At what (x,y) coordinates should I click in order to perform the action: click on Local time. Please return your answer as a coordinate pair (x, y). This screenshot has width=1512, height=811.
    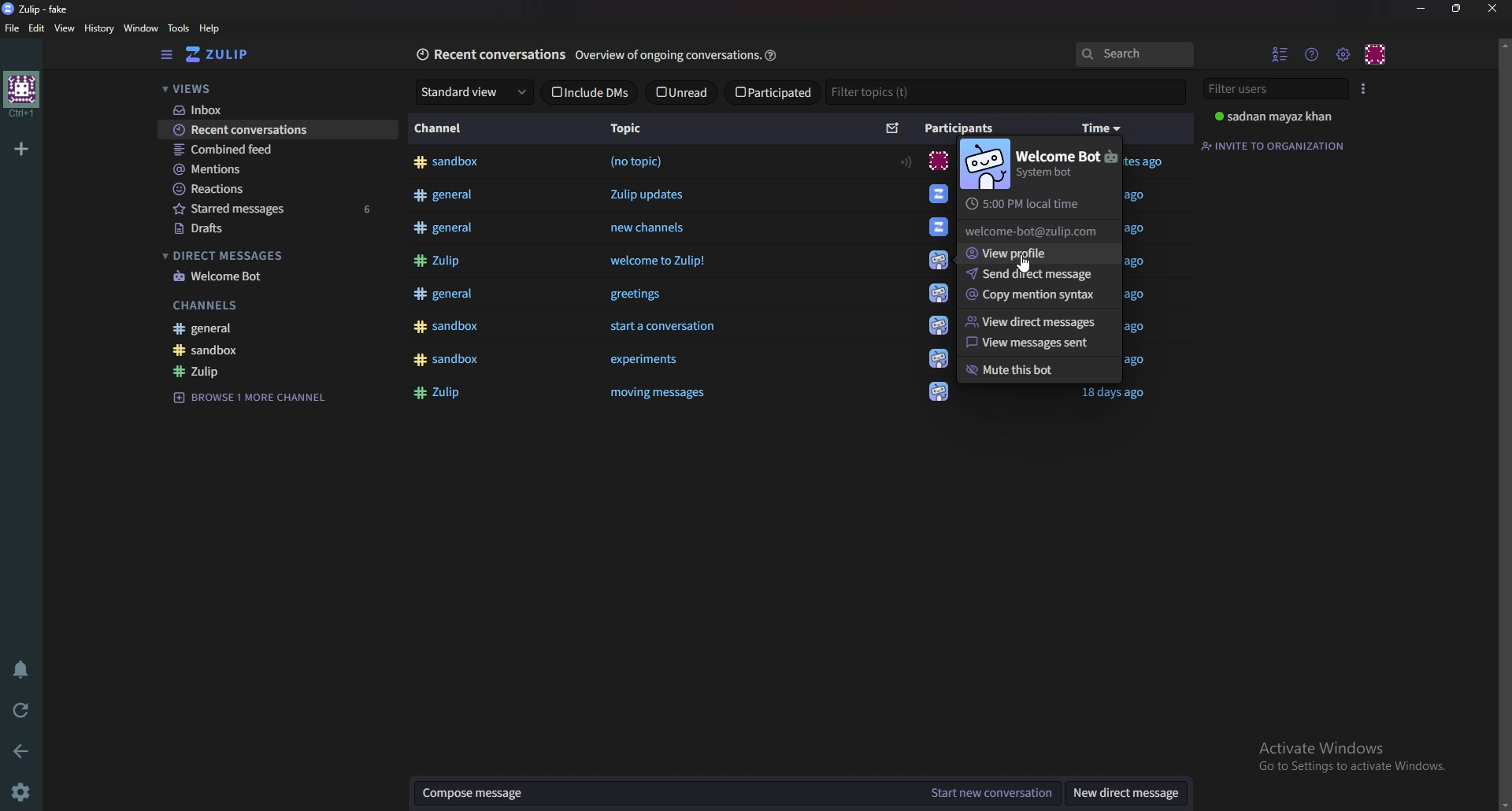
    Looking at the image, I should click on (1029, 205).